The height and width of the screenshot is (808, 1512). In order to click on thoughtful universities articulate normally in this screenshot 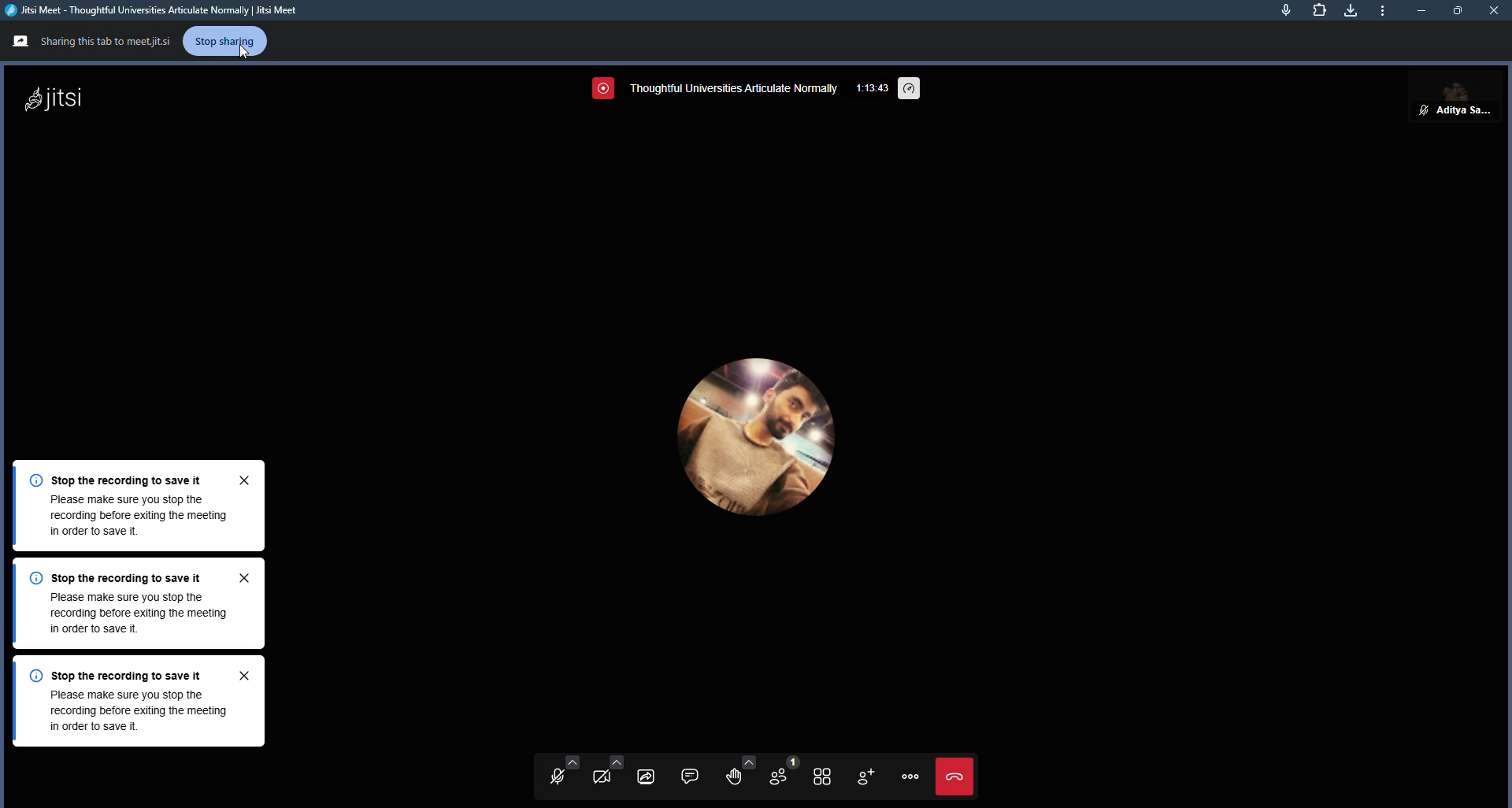, I will do `click(734, 90)`.